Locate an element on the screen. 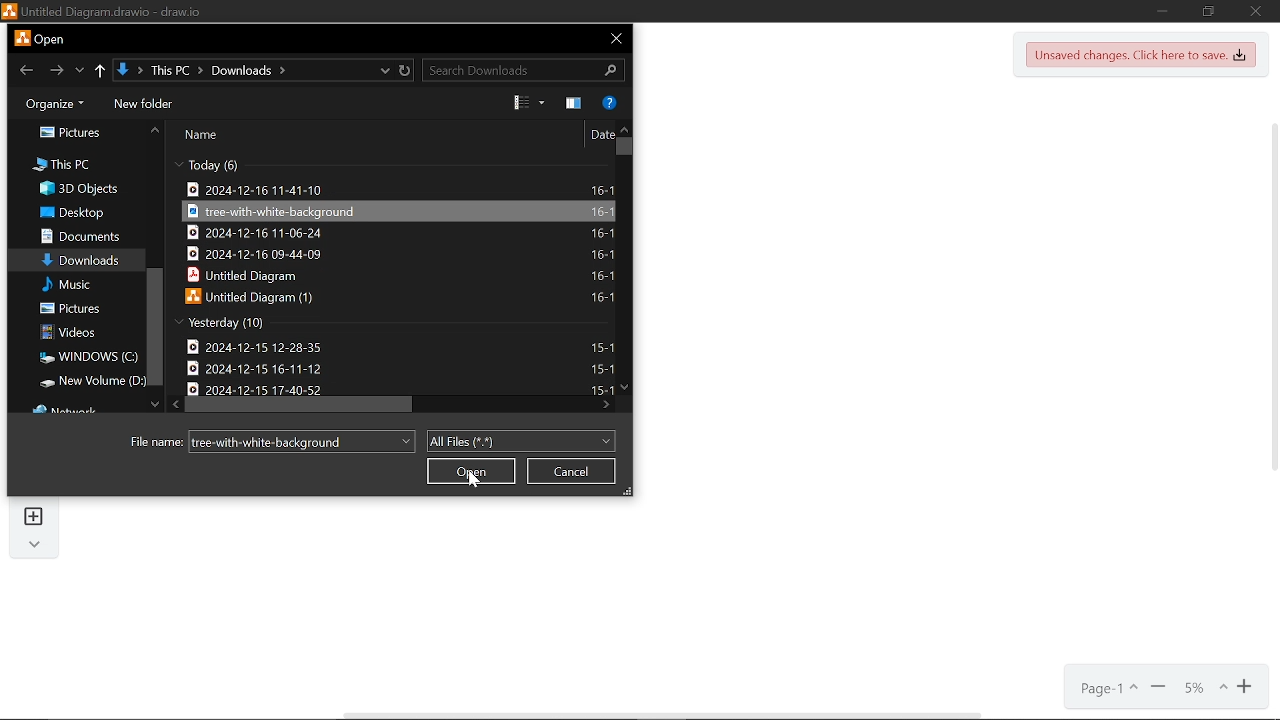  total files created is located at coordinates (175, 321).